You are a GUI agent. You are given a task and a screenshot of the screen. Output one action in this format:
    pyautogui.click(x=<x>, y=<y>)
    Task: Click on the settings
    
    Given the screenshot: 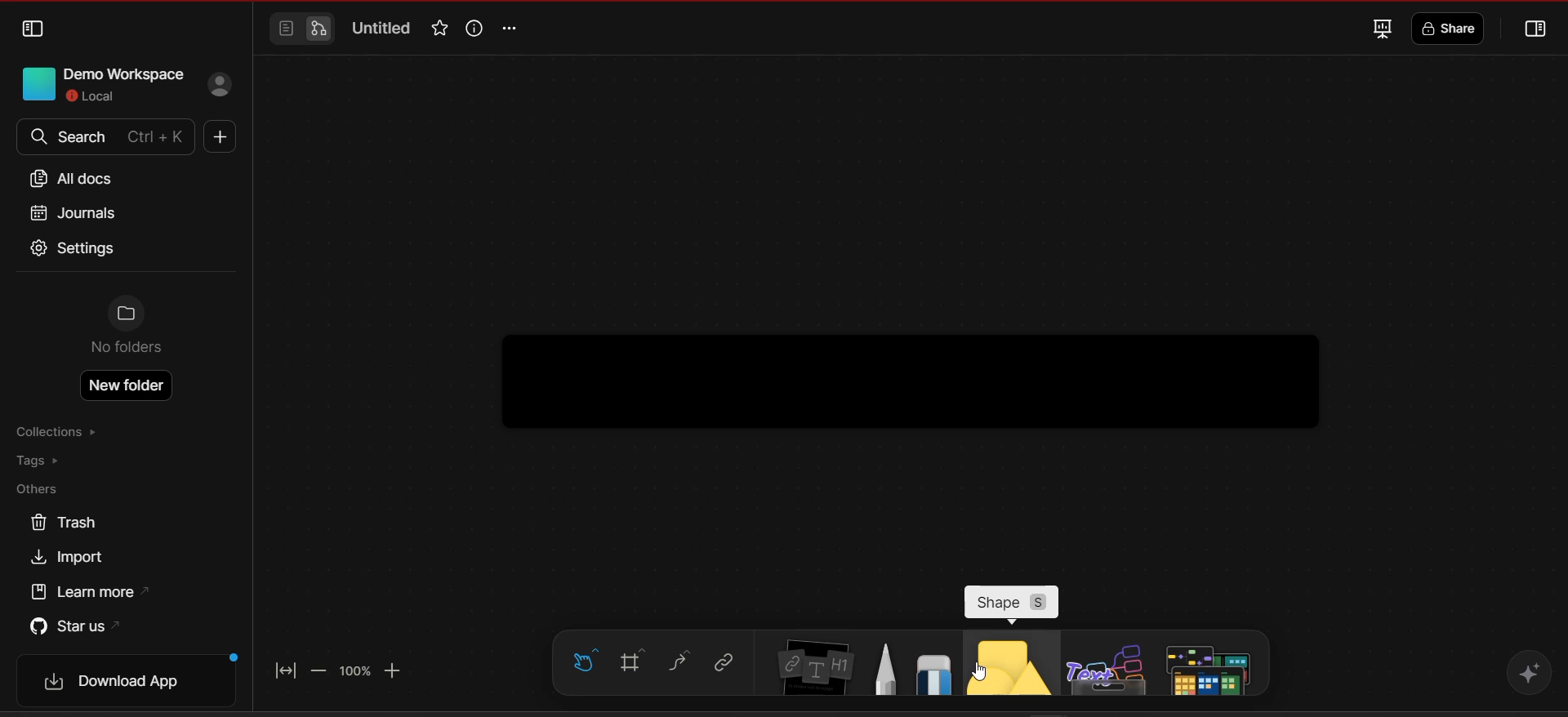 What is the action you would take?
    pyautogui.click(x=74, y=250)
    